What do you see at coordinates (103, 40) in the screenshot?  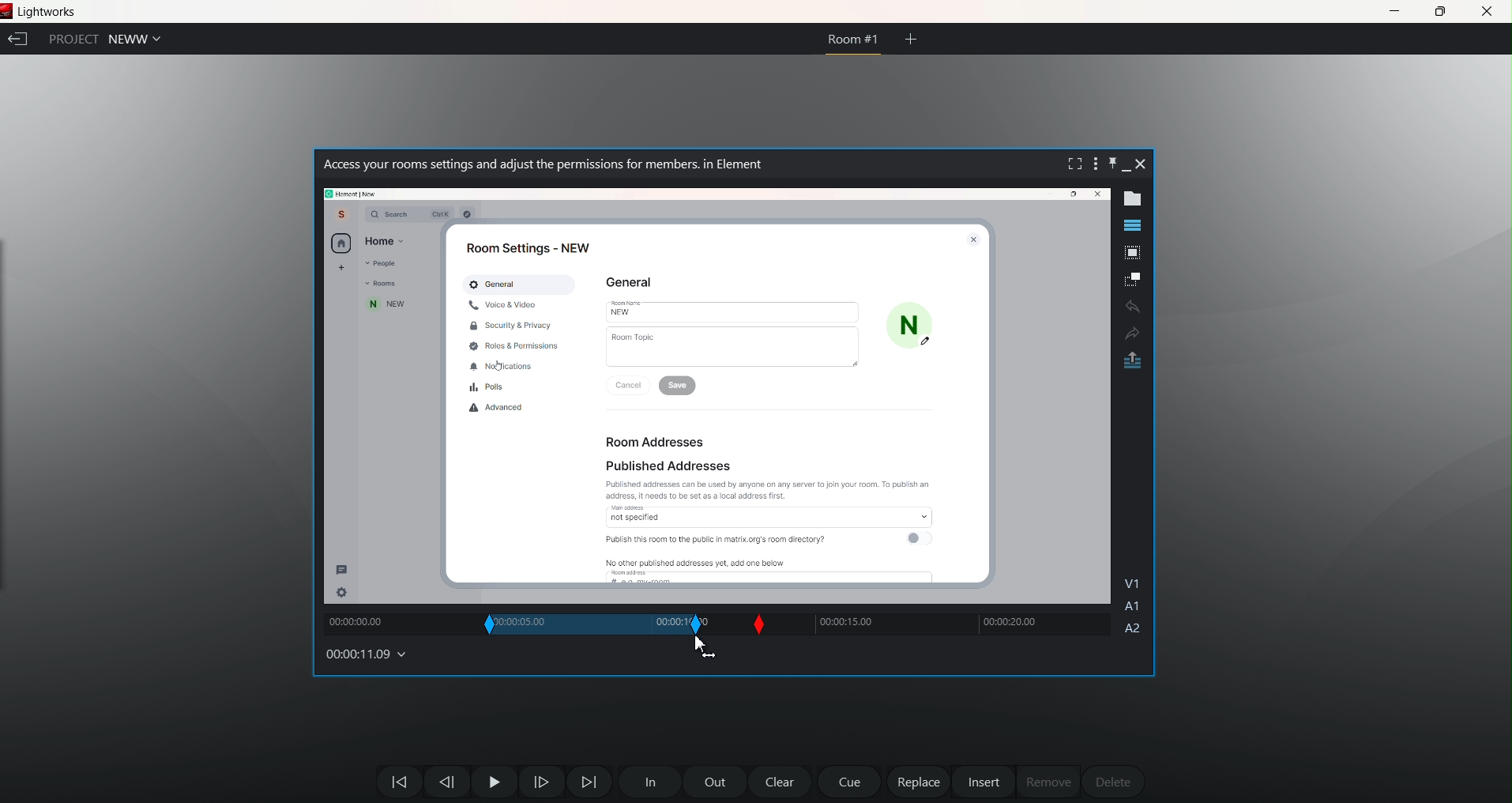 I see ` Project NEWW` at bounding box center [103, 40].